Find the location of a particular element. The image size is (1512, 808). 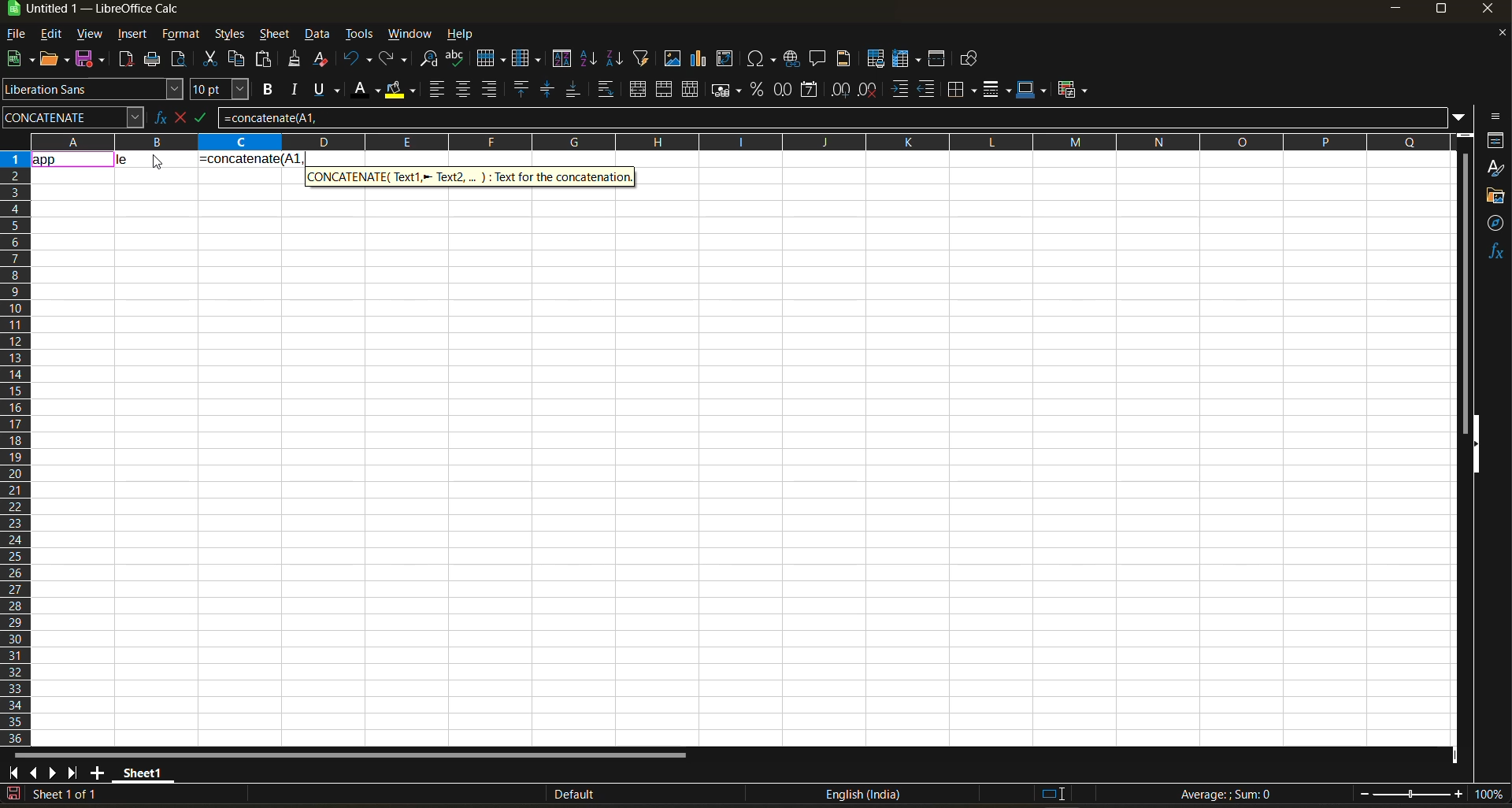

border style is located at coordinates (996, 90).